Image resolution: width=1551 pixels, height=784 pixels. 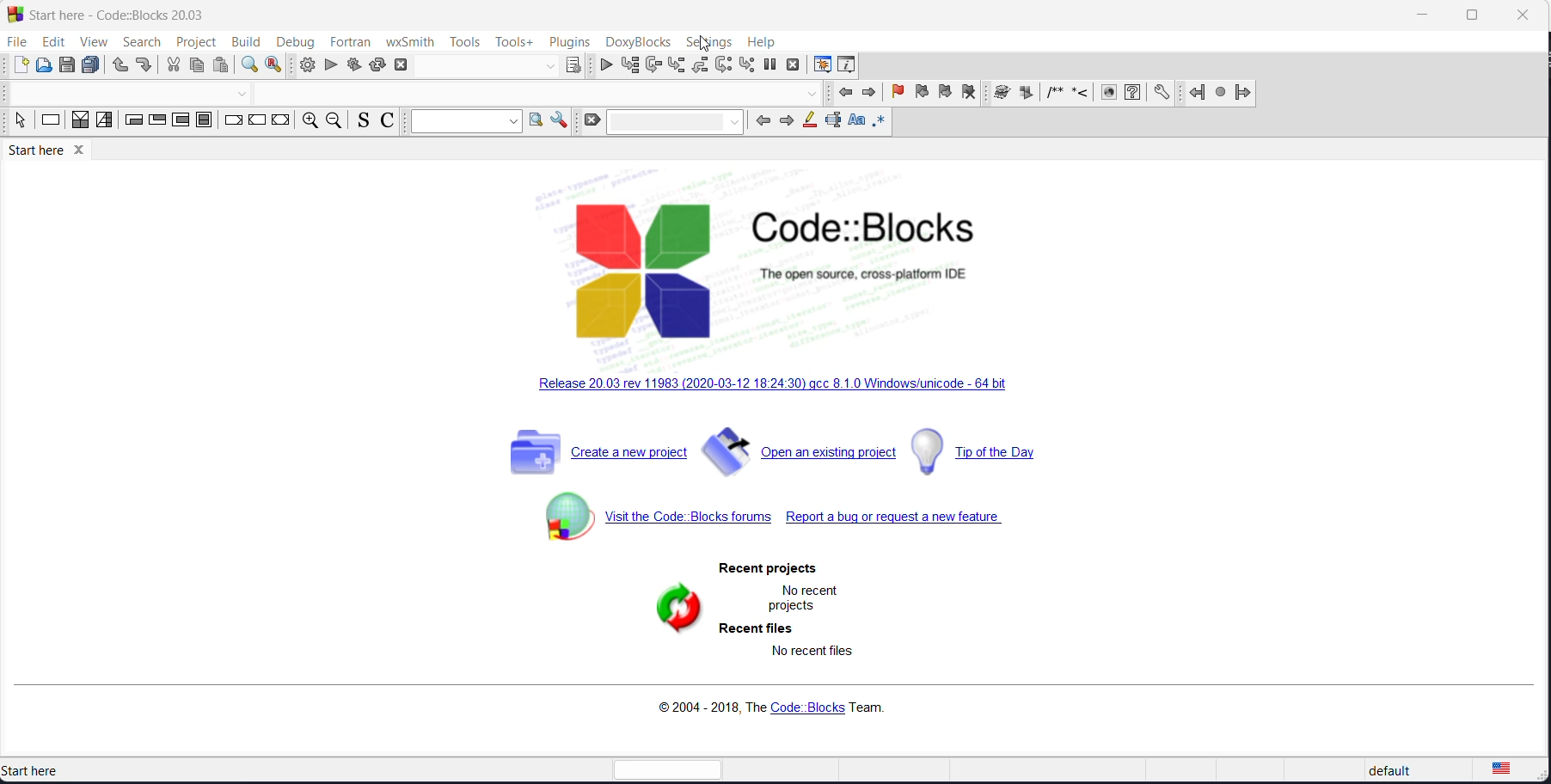 What do you see at coordinates (377, 66) in the screenshot?
I see `rebuild` at bounding box center [377, 66].